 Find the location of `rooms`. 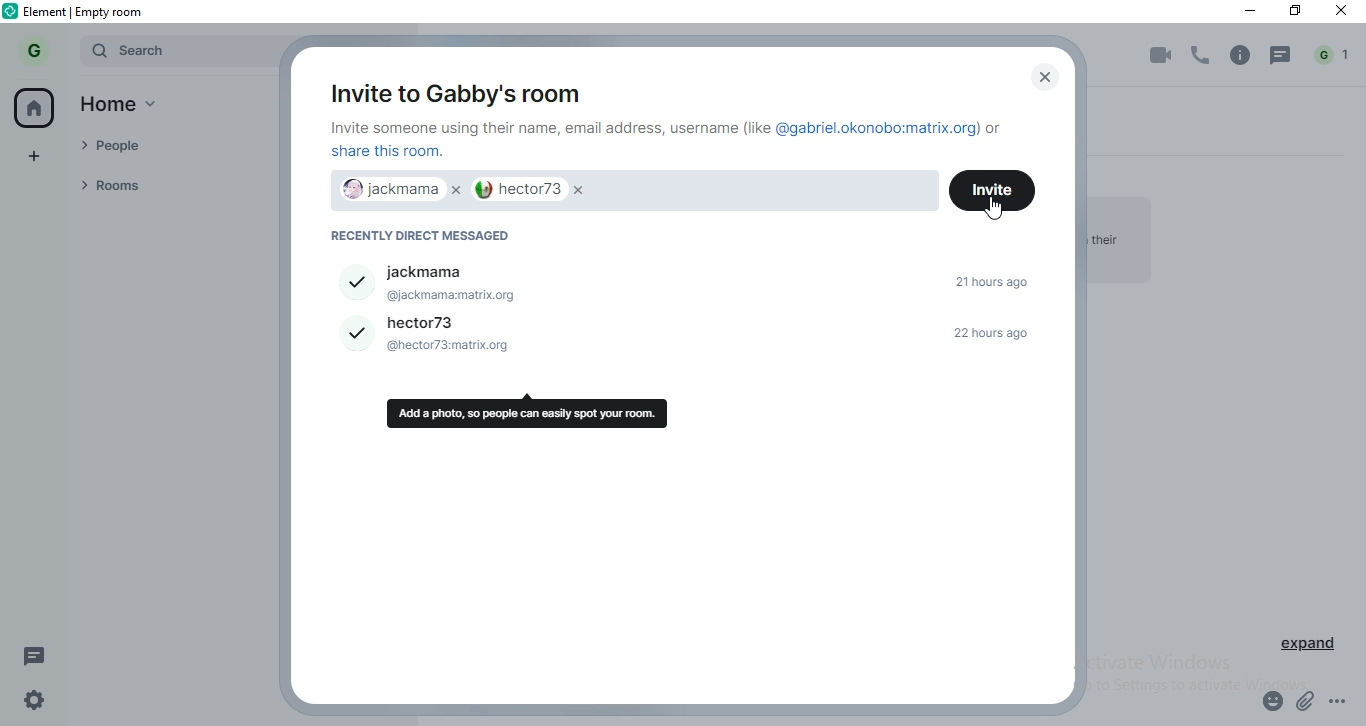

rooms is located at coordinates (165, 185).